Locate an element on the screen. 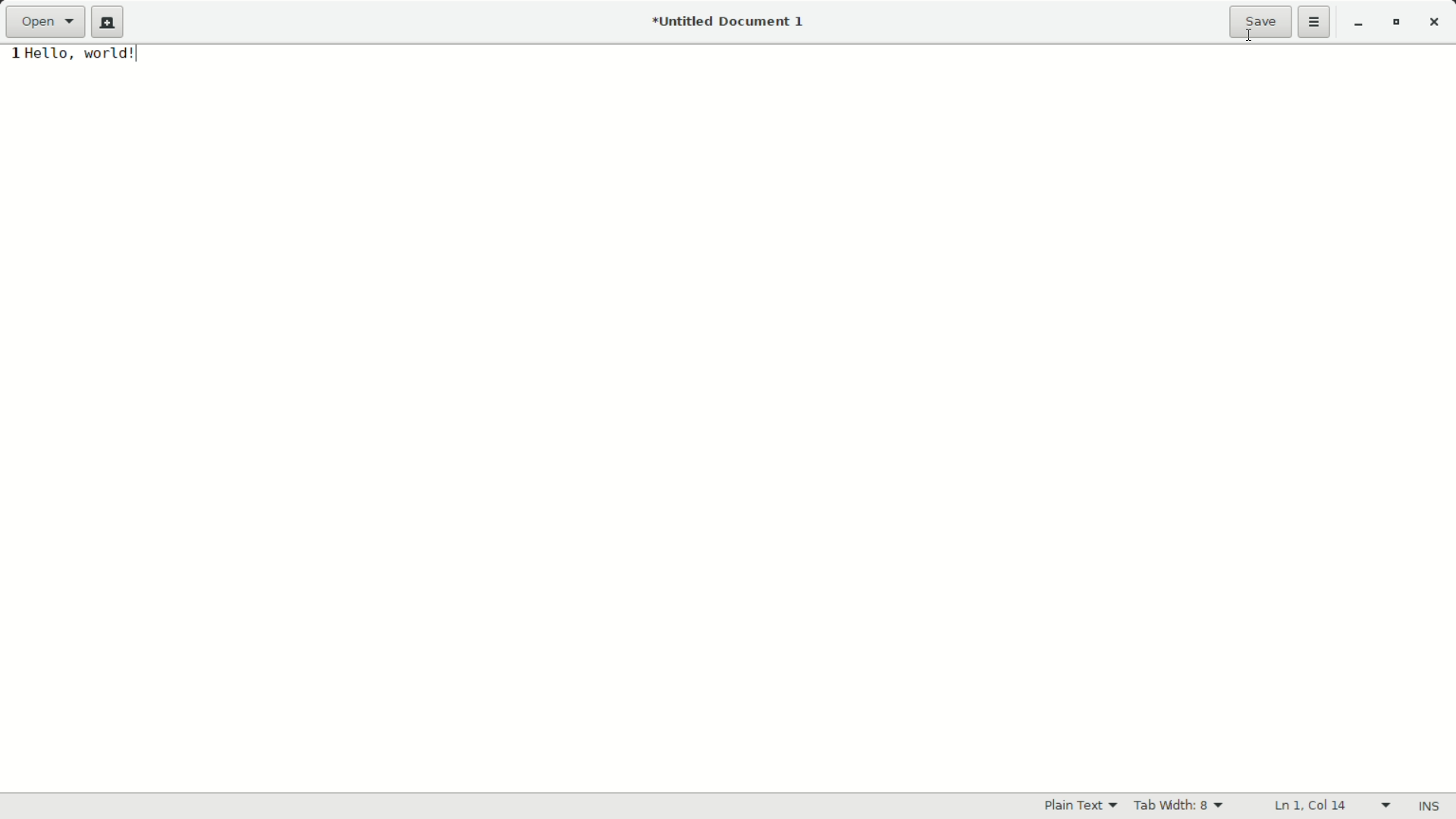 This screenshot has width=1456, height=819. Hello, world! is located at coordinates (108, 55).